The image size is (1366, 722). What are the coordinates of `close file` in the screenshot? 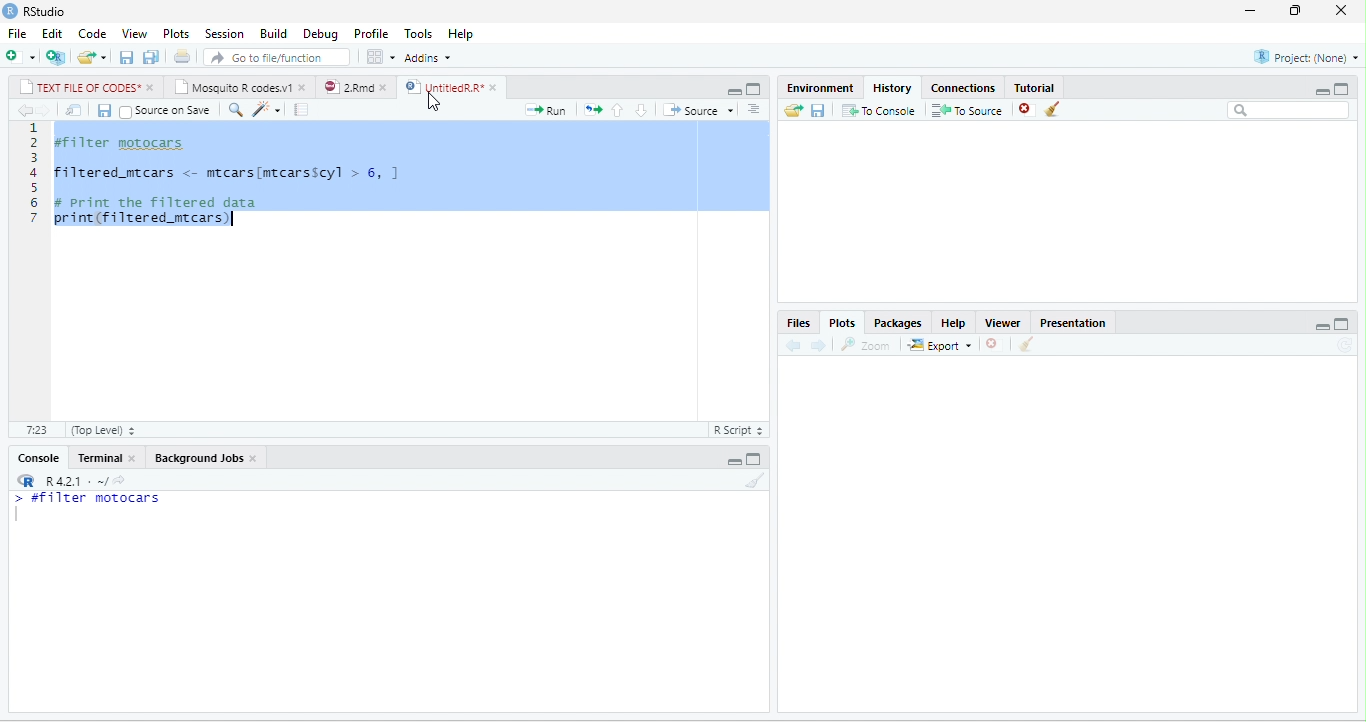 It's located at (1028, 110).